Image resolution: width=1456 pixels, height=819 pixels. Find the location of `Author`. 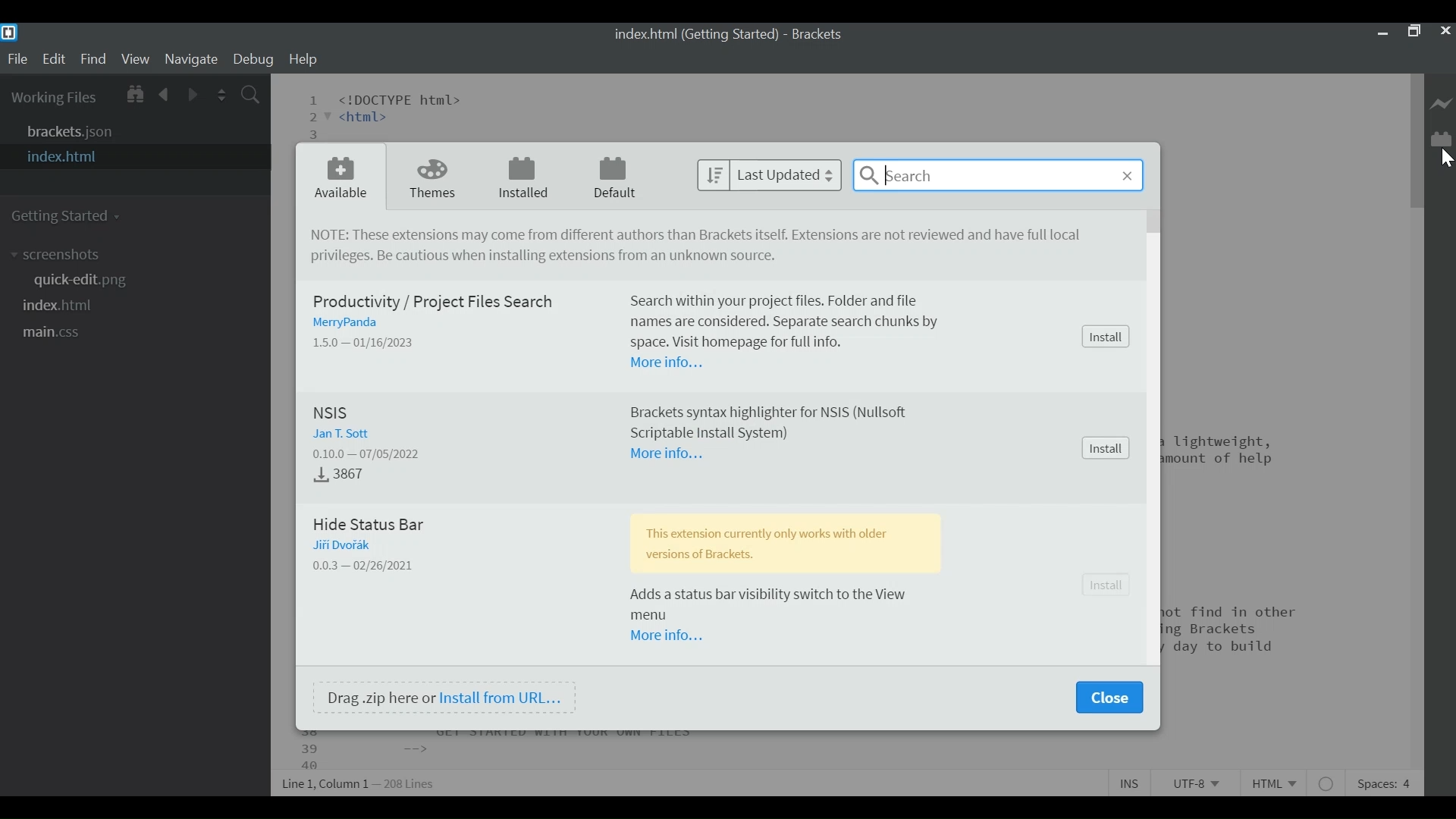

Author is located at coordinates (342, 433).